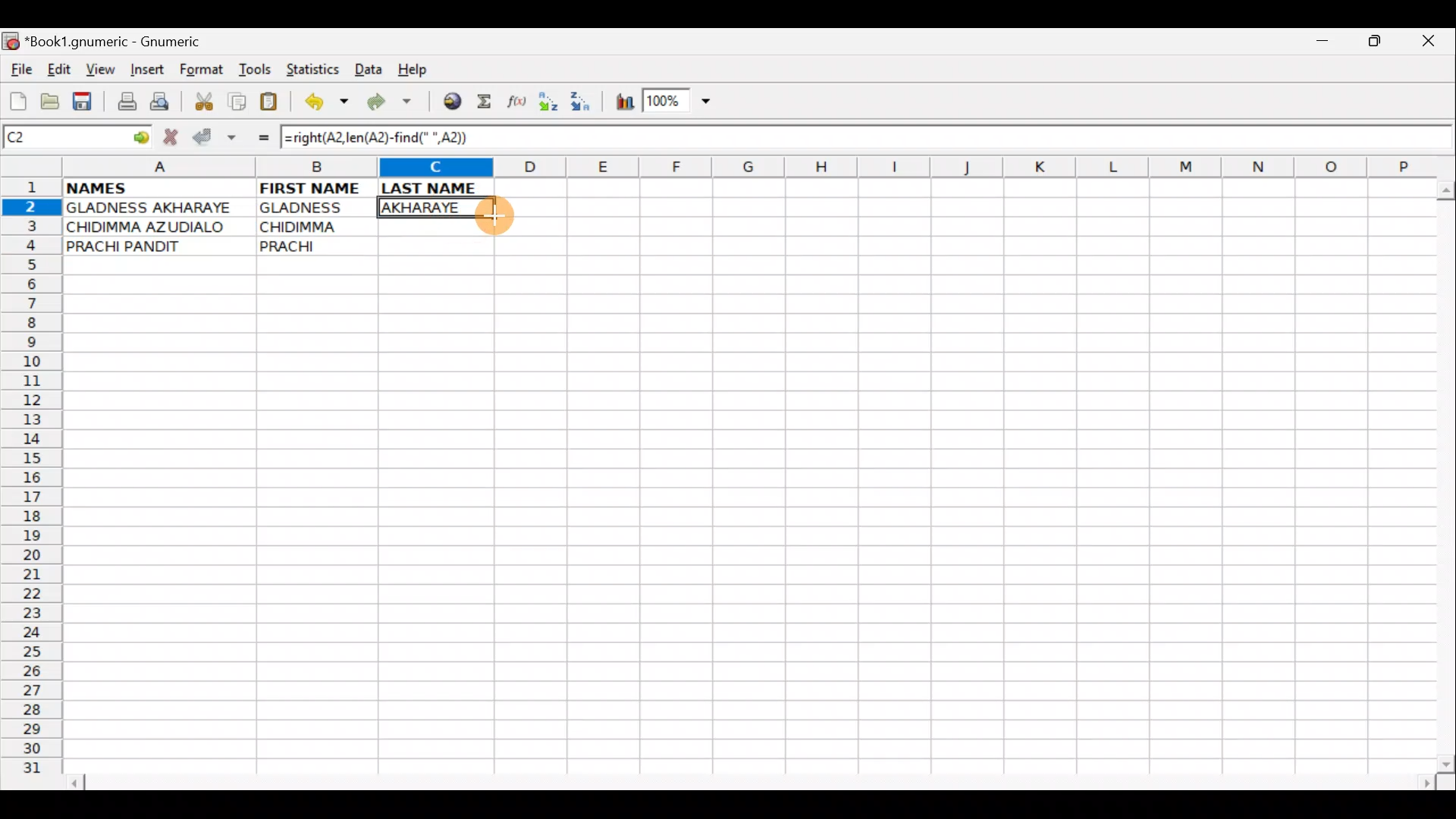  I want to click on GLADNESS, so click(313, 208).